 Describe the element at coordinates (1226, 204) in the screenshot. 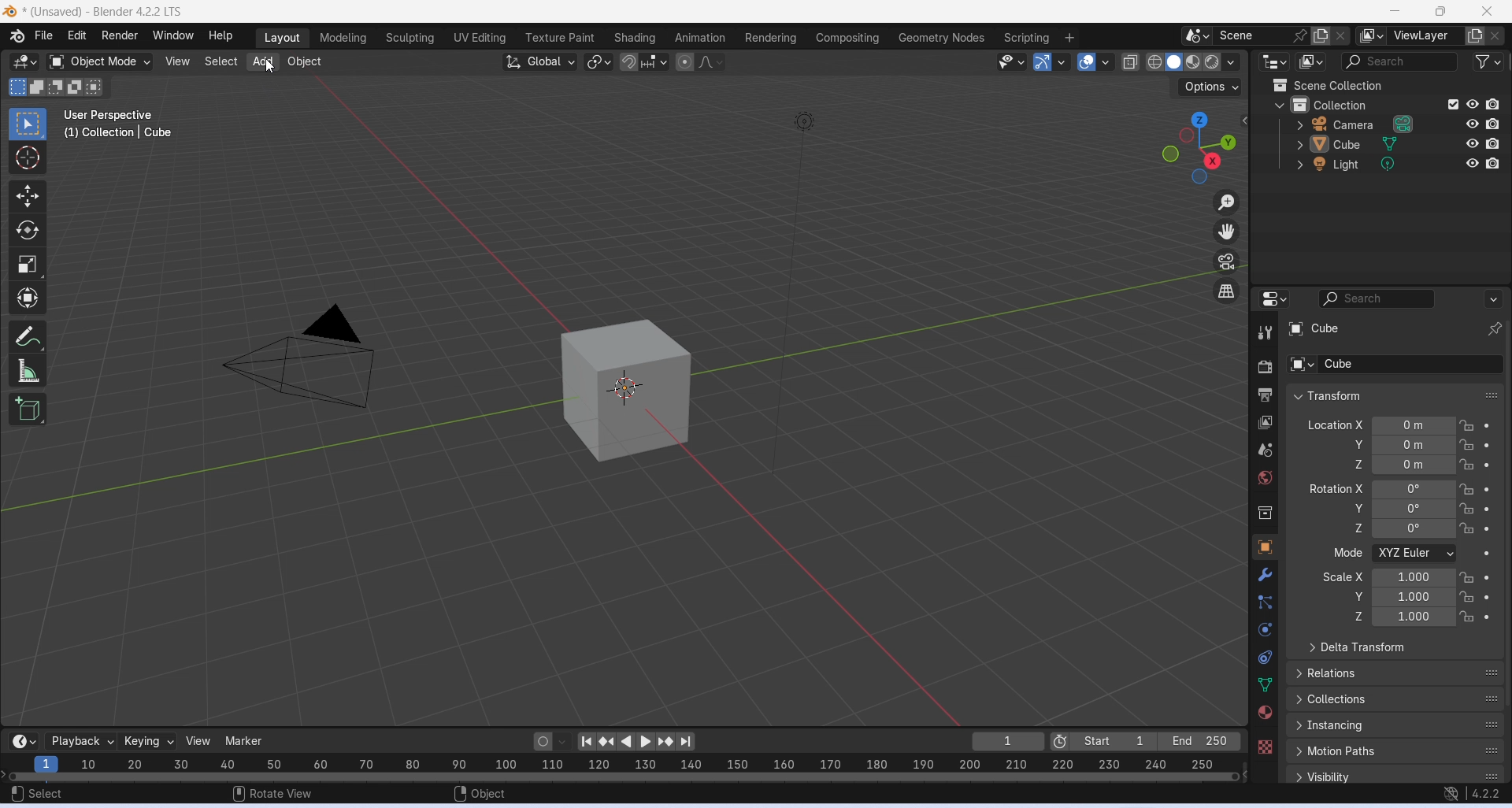

I see `Zoom in/out` at that location.